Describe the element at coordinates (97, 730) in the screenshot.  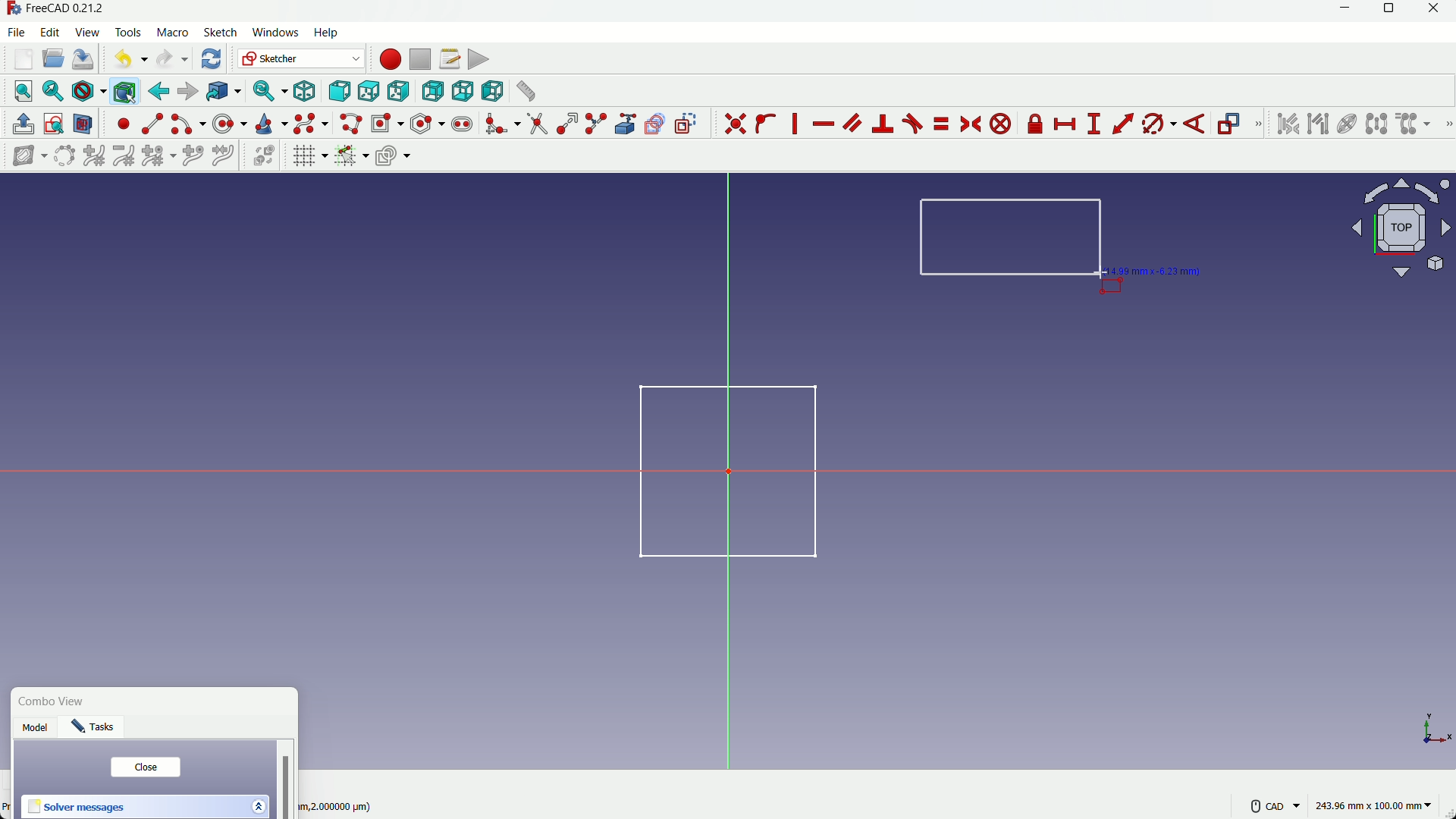
I see `tasks` at that location.